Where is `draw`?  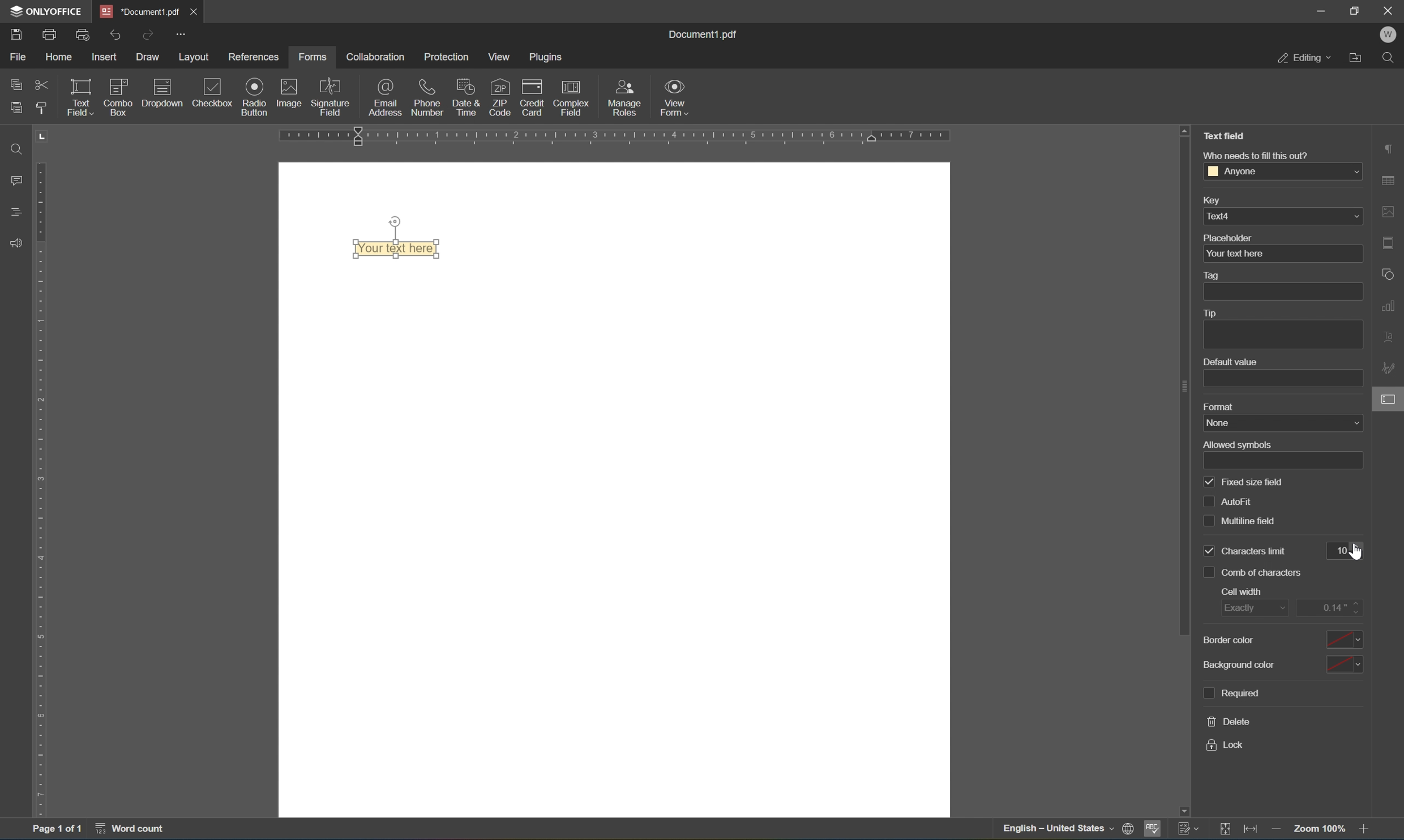 draw is located at coordinates (148, 57).